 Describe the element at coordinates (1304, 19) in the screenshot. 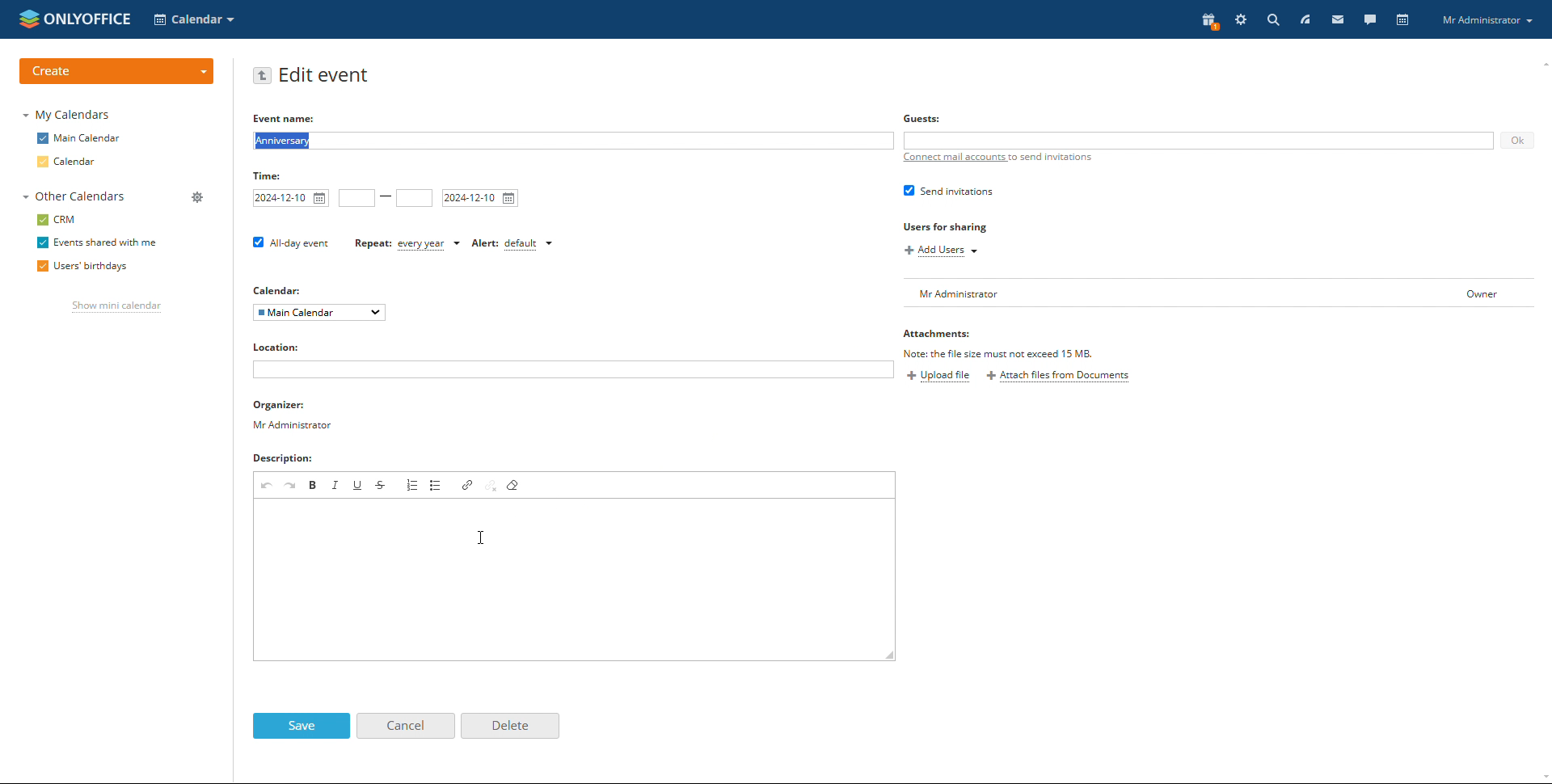

I see `feed` at that location.